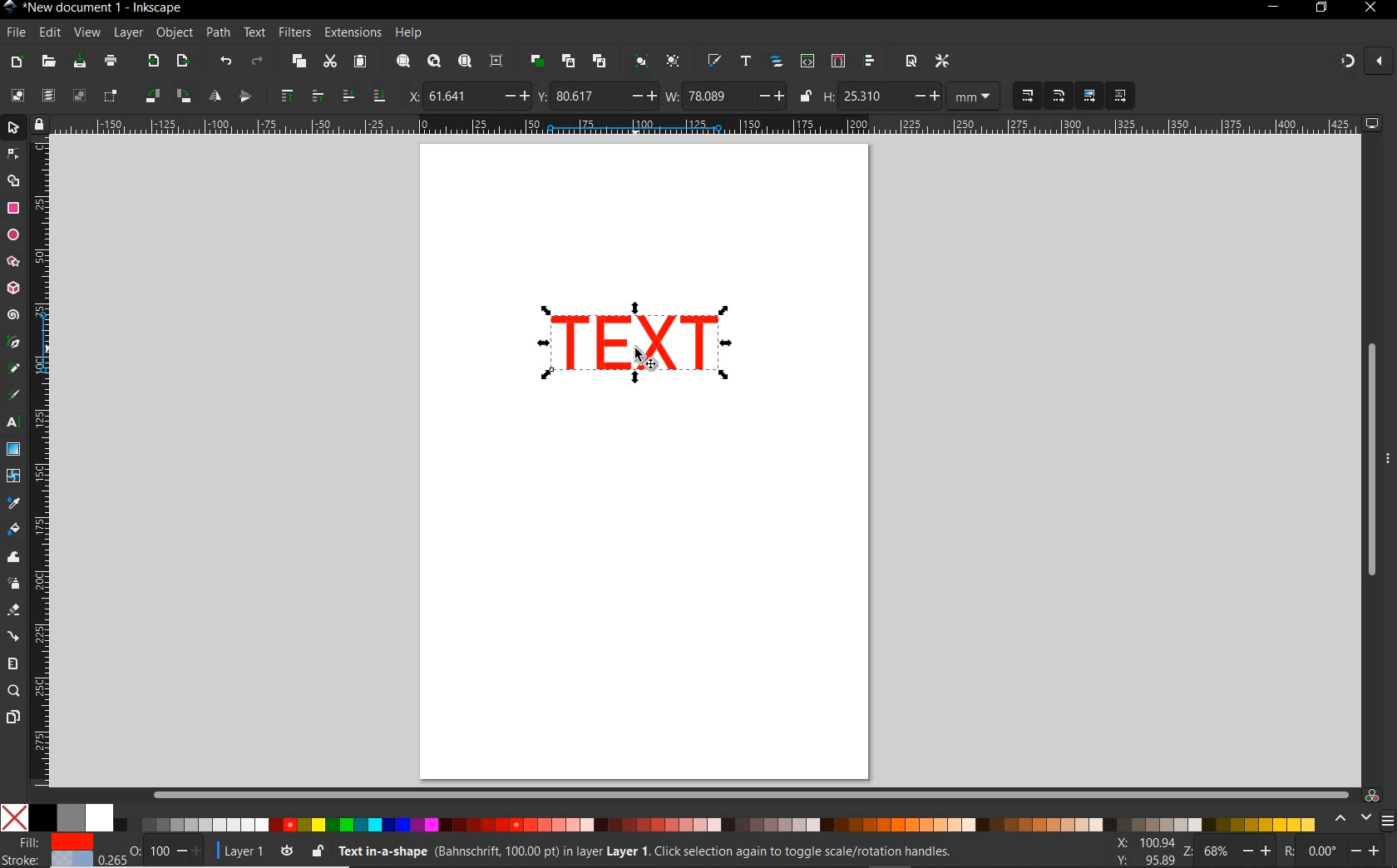 This screenshot has height=868, width=1397. What do you see at coordinates (153, 850) in the screenshot?
I see `opacity` at bounding box center [153, 850].